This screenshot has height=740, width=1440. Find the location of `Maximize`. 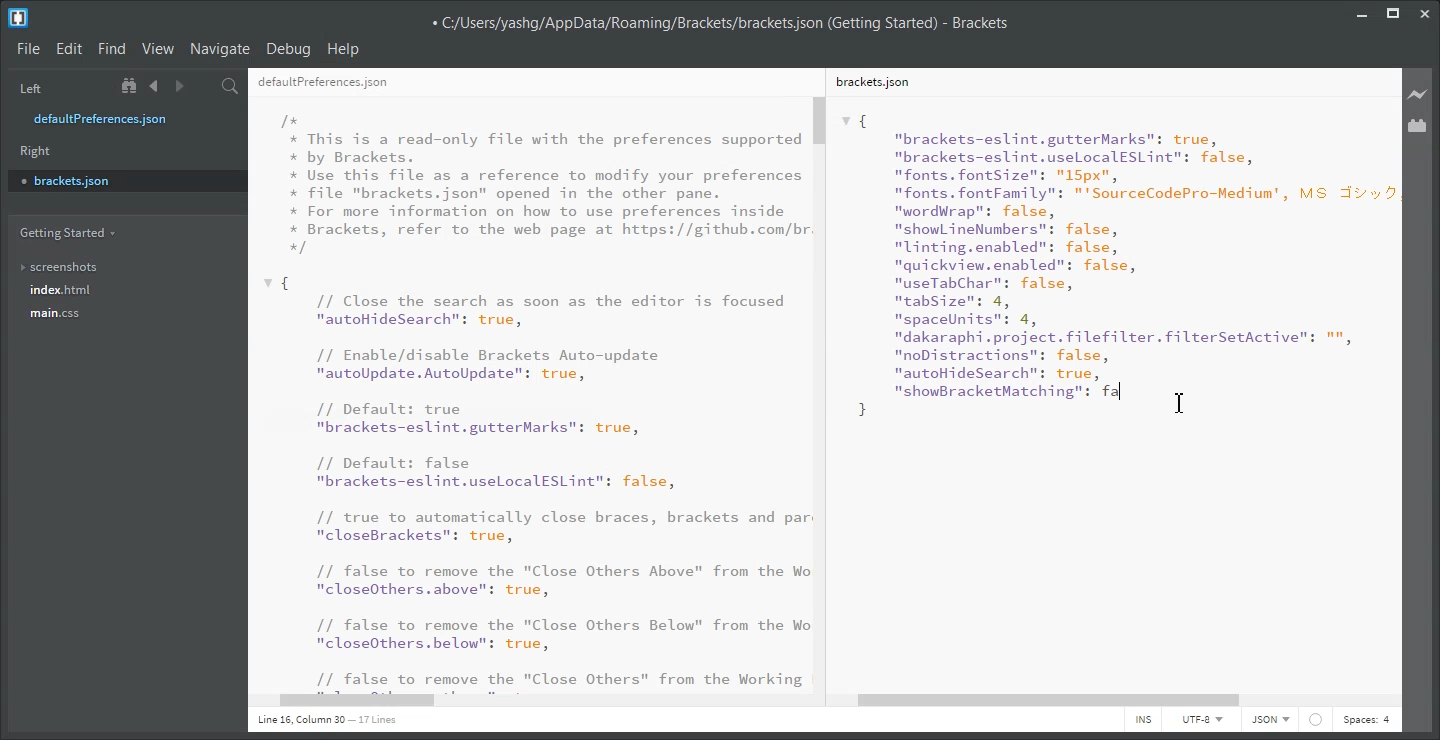

Maximize is located at coordinates (1393, 11).